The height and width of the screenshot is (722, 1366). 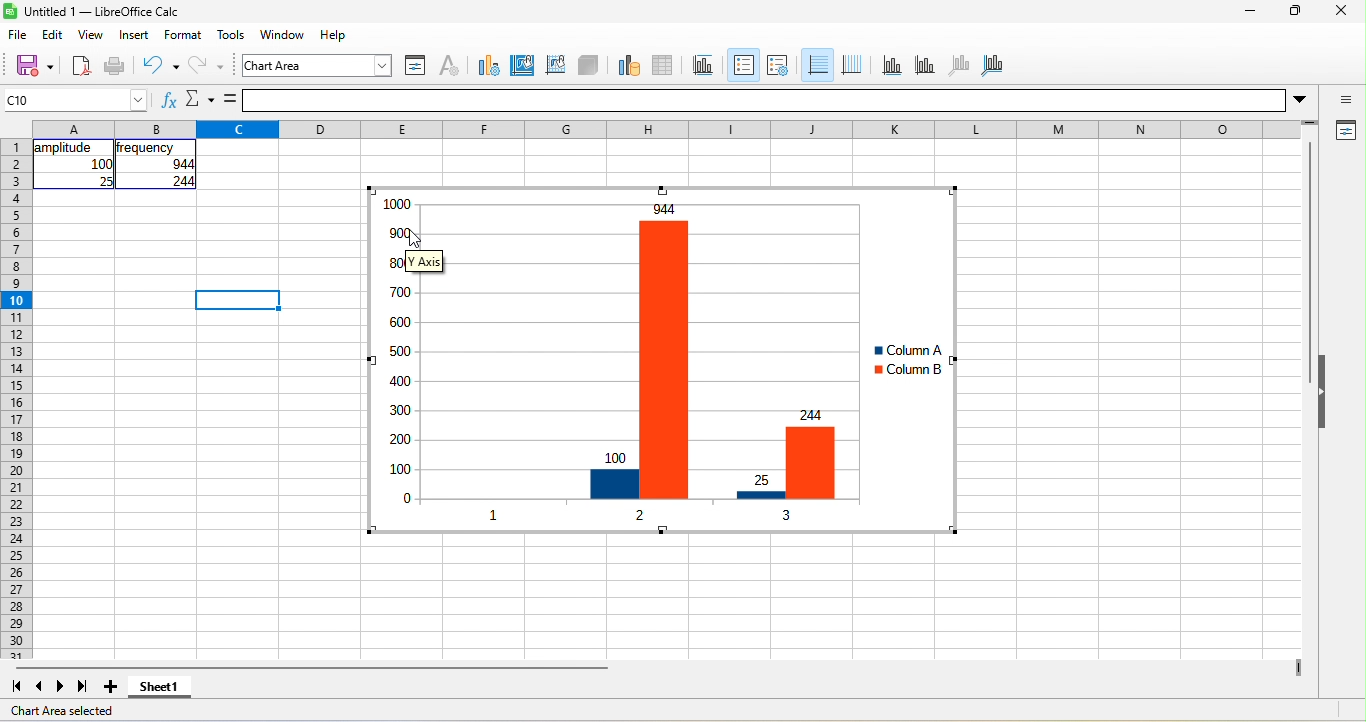 What do you see at coordinates (626, 64) in the screenshot?
I see `data range` at bounding box center [626, 64].